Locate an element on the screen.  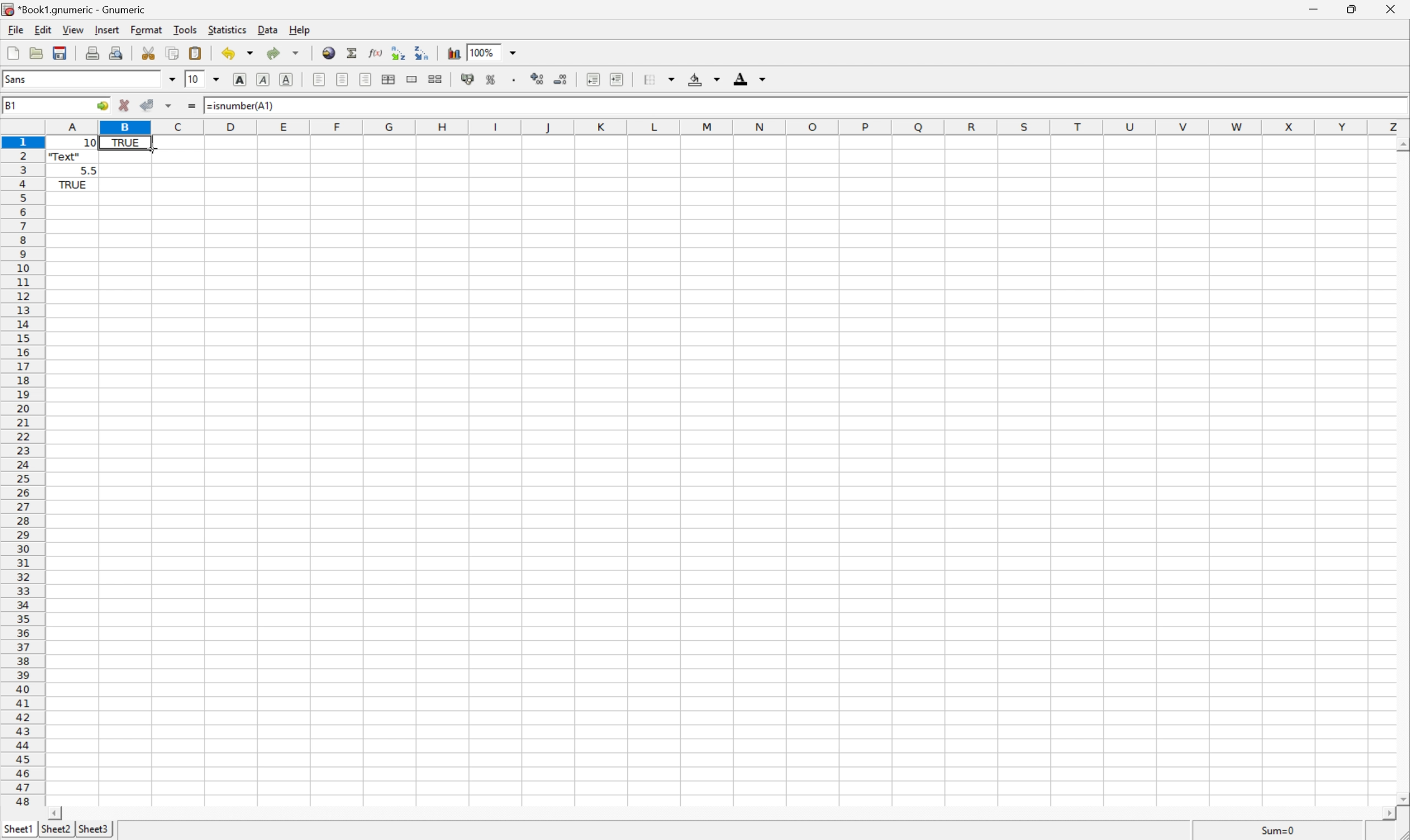
Redo is located at coordinates (284, 52).